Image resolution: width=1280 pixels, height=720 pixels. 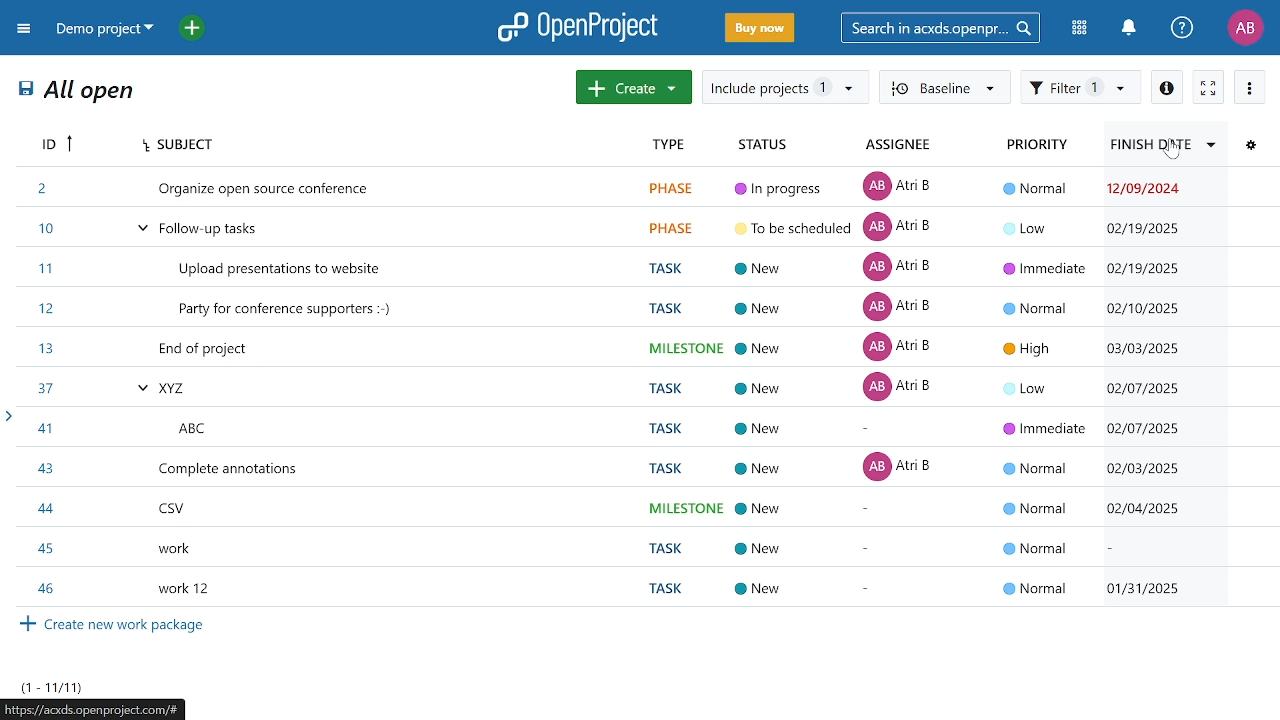 I want to click on modules, so click(x=1082, y=29).